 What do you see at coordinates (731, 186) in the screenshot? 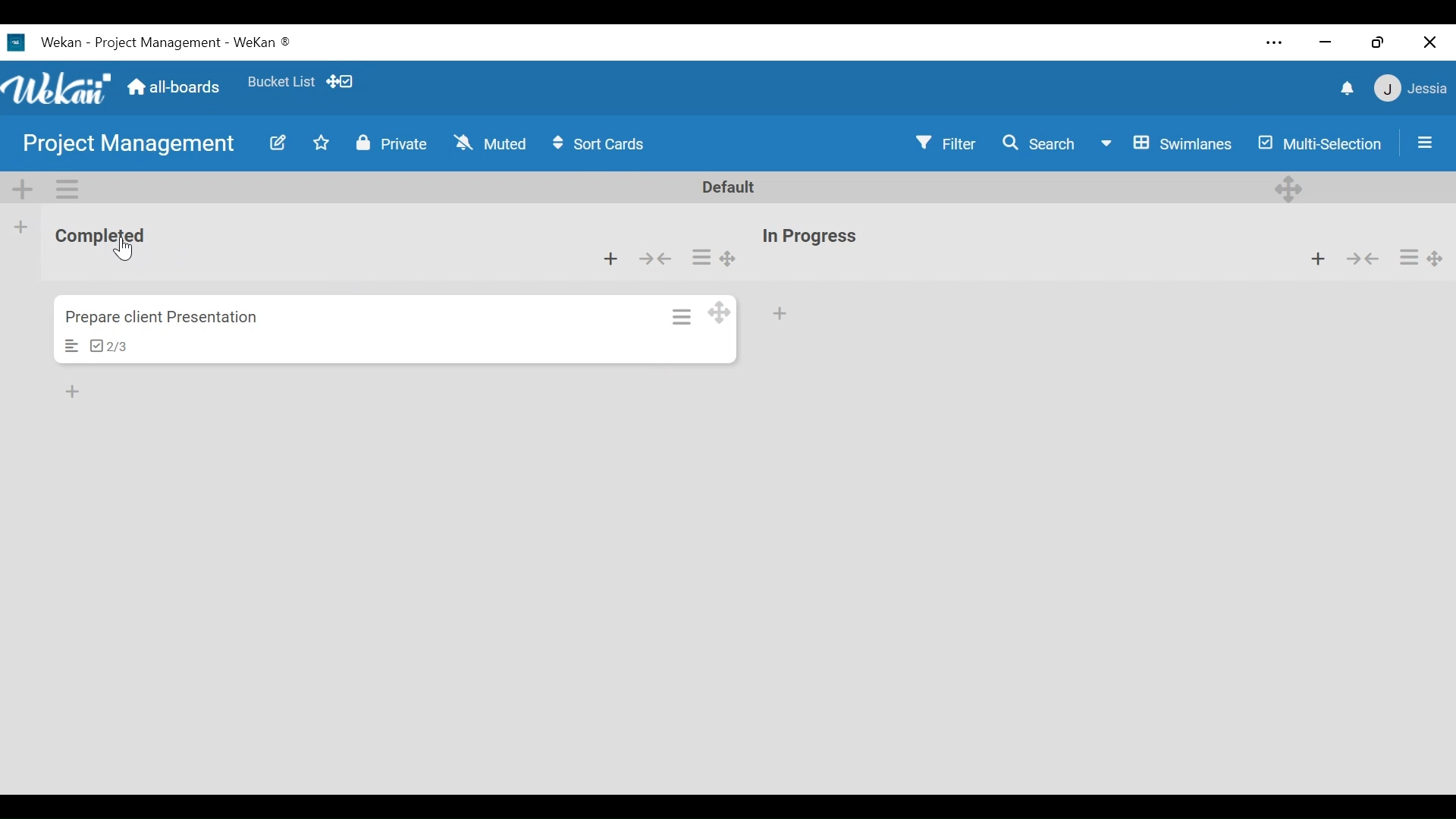
I see `Default` at bounding box center [731, 186].